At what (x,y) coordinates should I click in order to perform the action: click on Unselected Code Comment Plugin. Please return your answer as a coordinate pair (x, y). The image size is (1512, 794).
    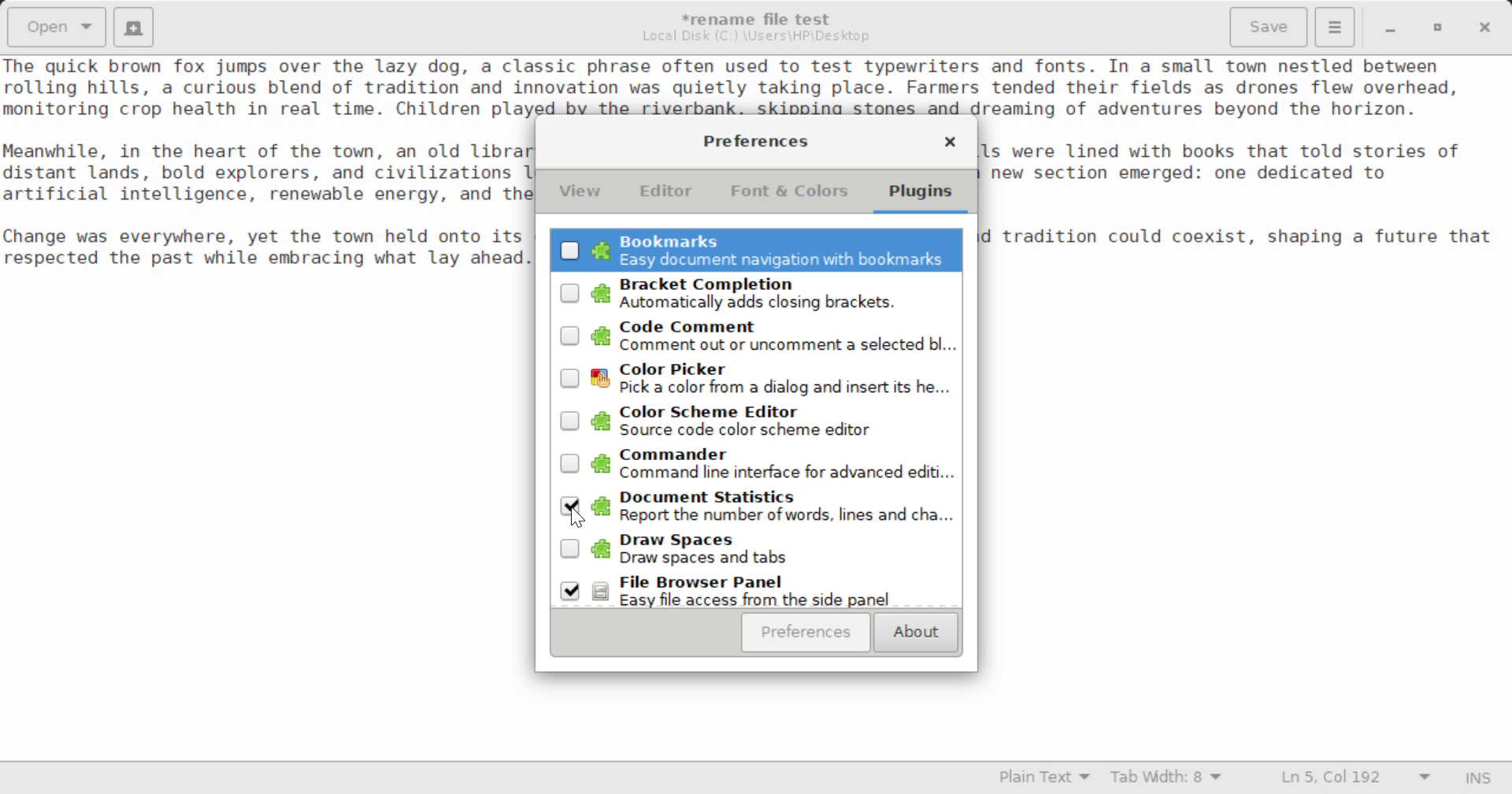
    Looking at the image, I should click on (761, 337).